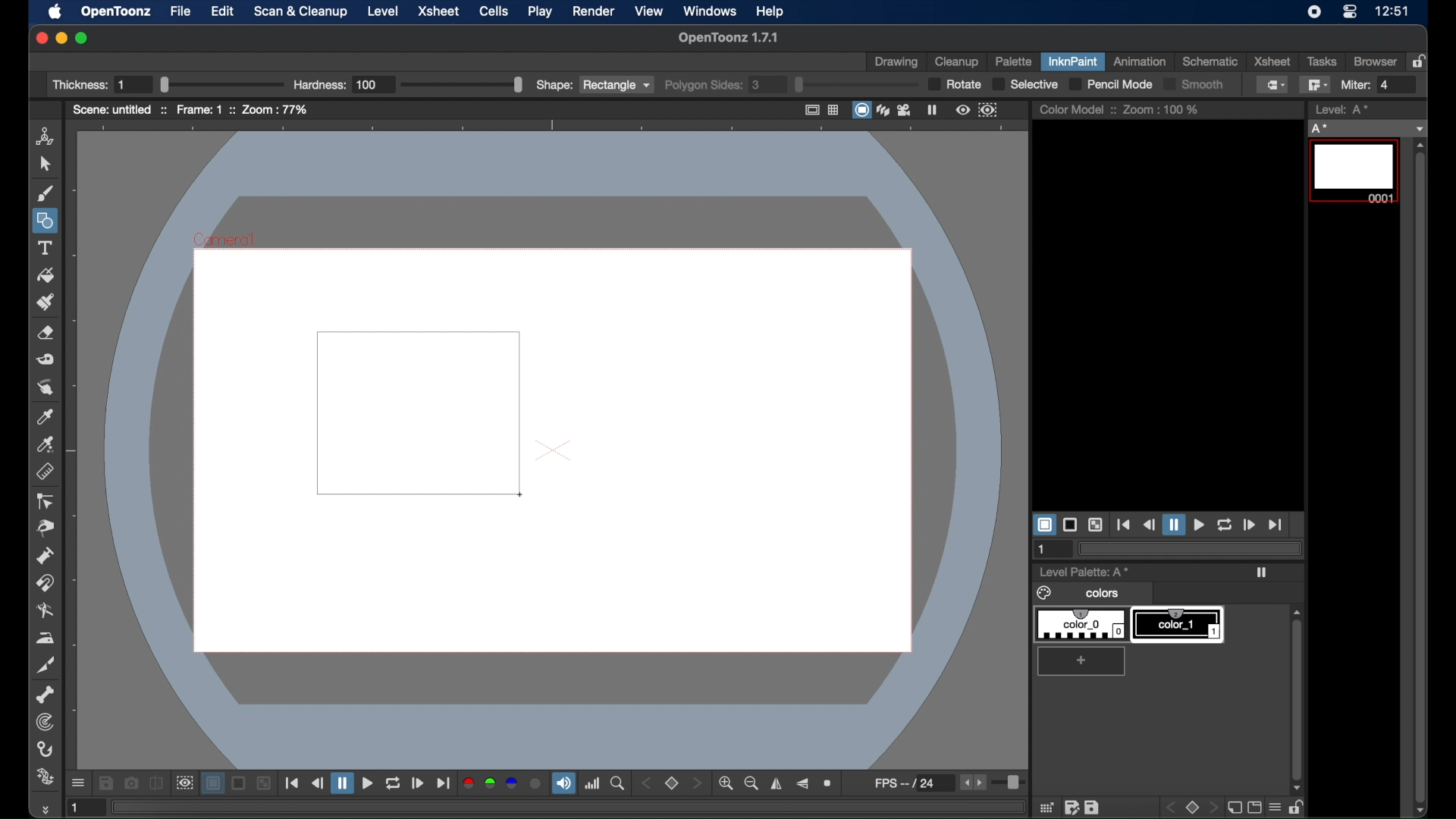  I want to click on cutter tool, so click(45, 665).